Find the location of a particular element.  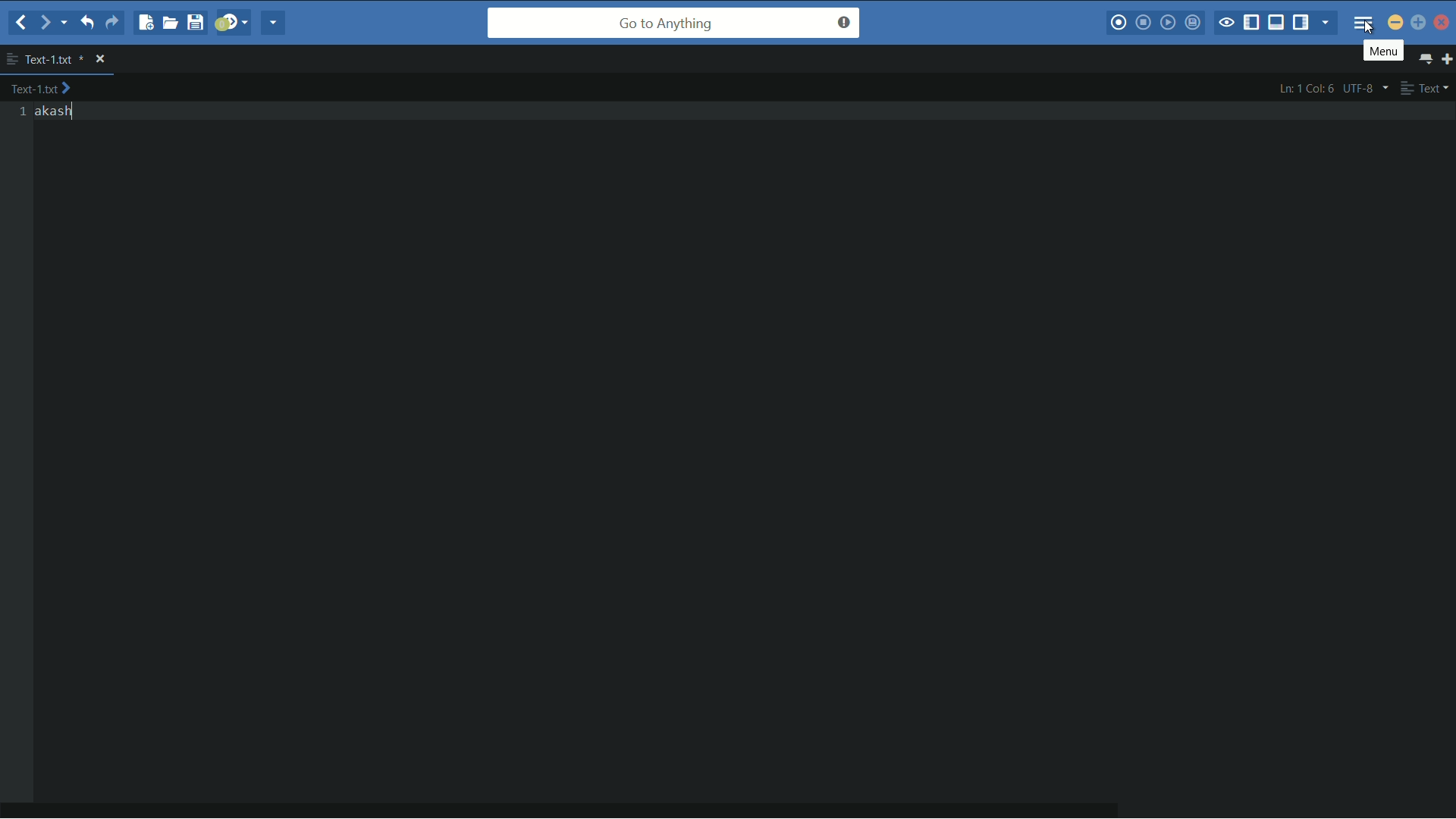

more options is located at coordinates (9, 61).